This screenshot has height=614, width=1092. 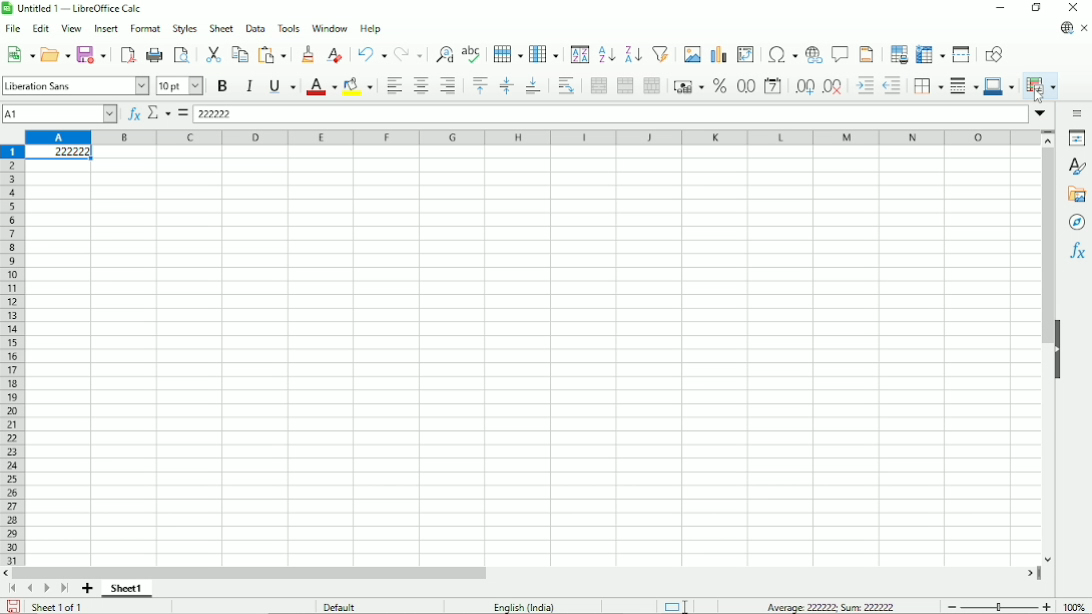 I want to click on Insert hyperlink, so click(x=814, y=55).